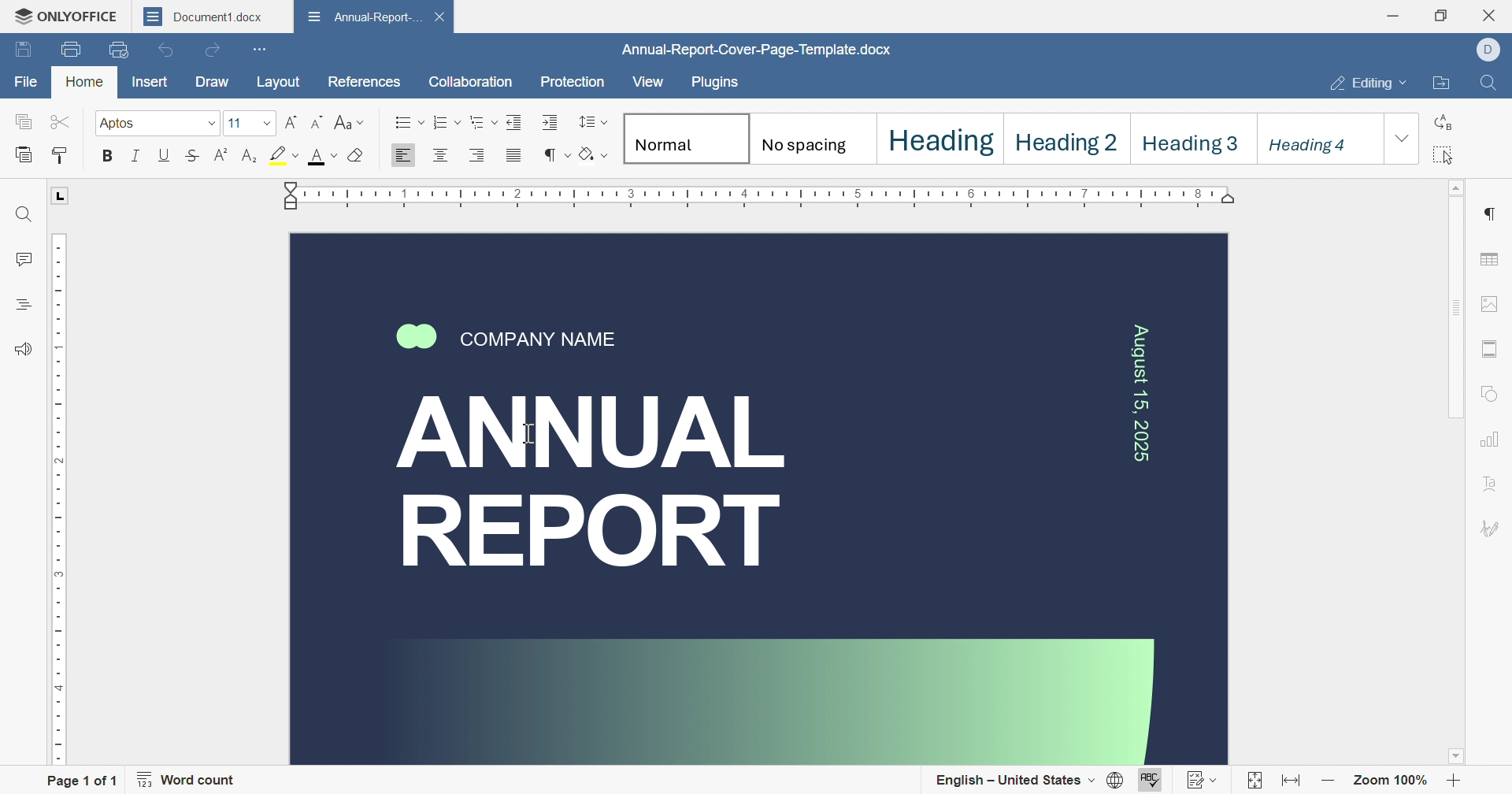 This screenshot has height=794, width=1512. Describe the element at coordinates (484, 154) in the screenshot. I see `align right` at that location.